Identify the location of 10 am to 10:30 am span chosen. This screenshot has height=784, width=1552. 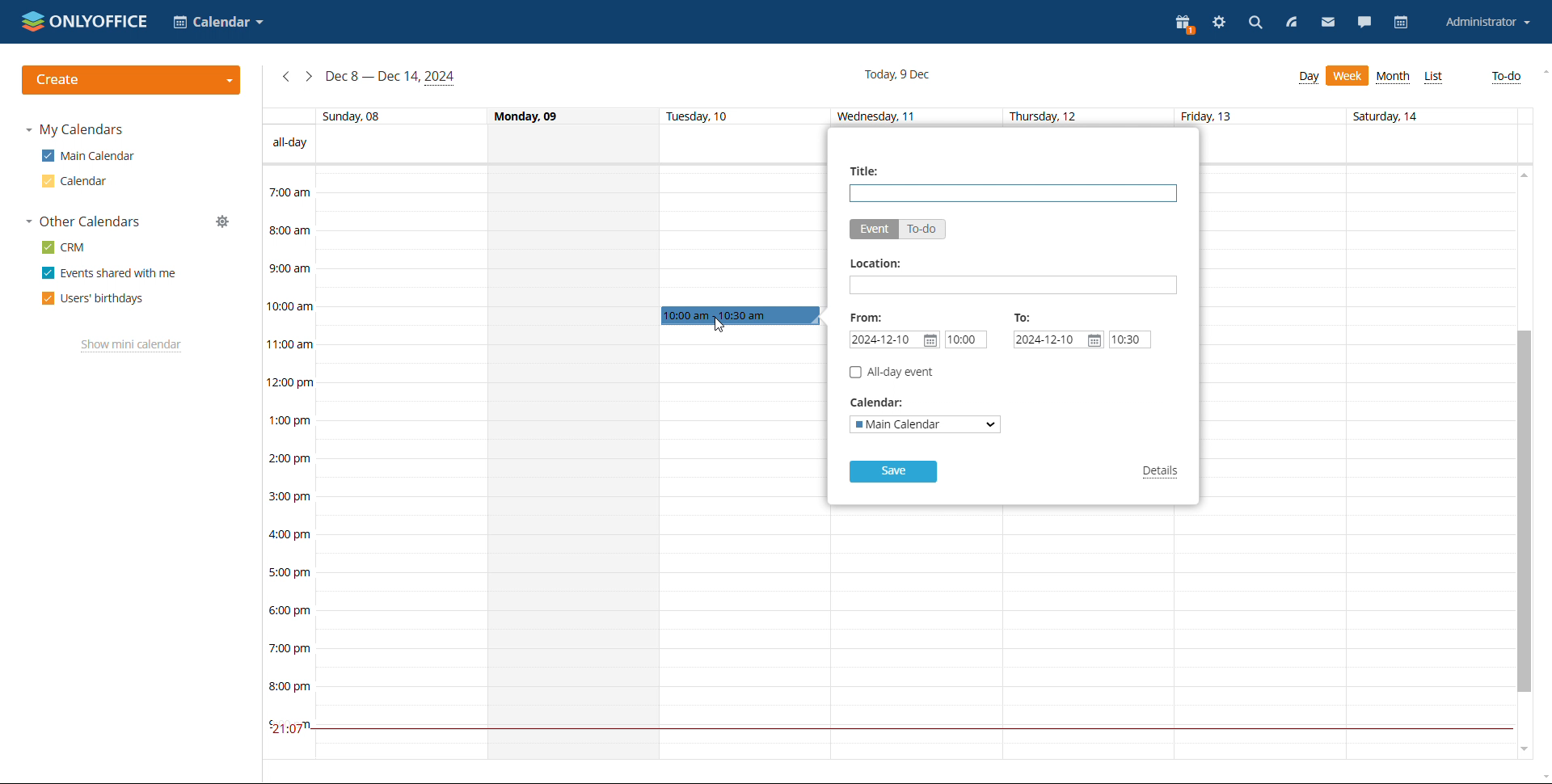
(740, 316).